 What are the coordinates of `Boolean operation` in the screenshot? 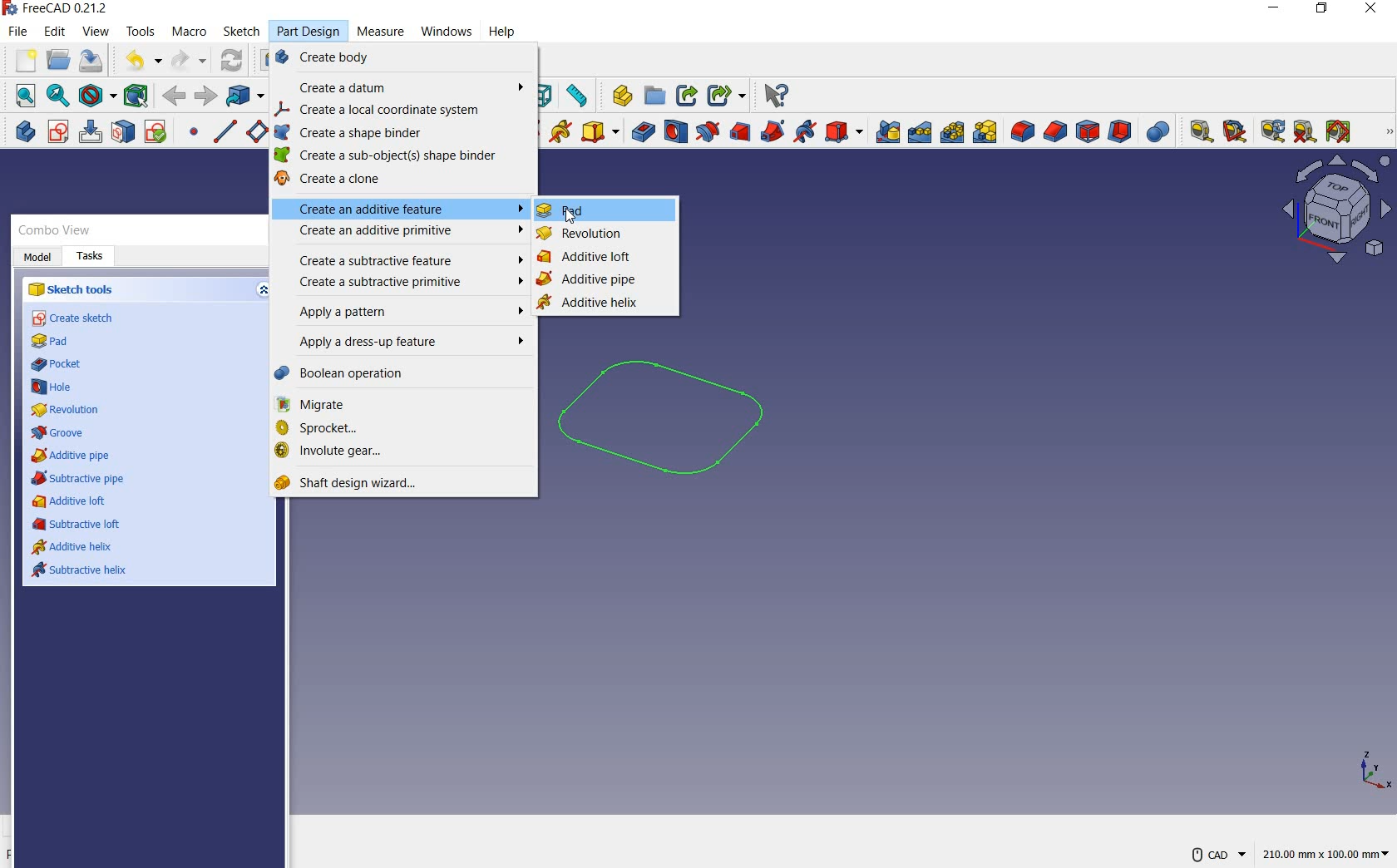 It's located at (398, 374).